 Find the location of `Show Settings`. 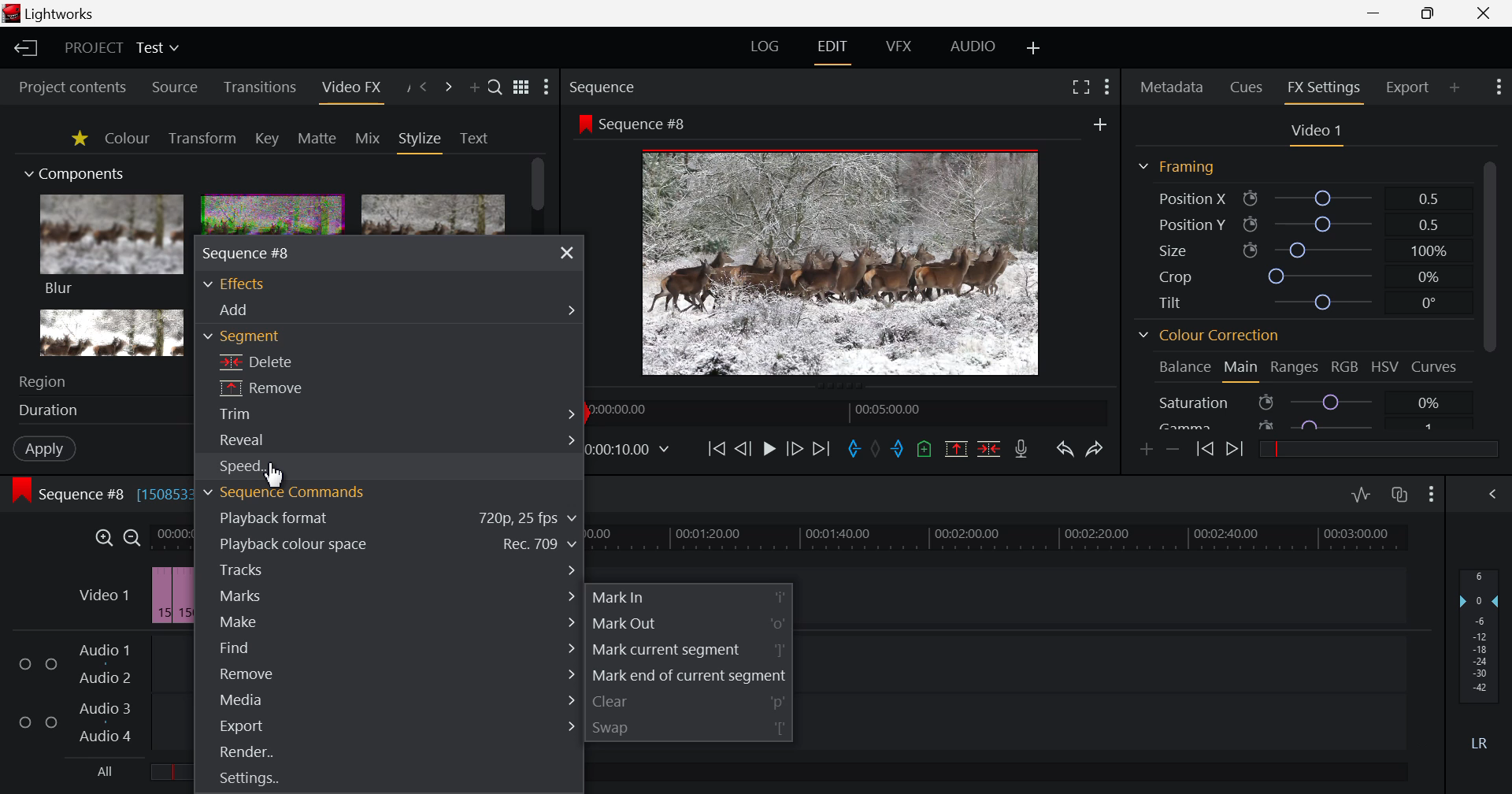

Show Settings is located at coordinates (1432, 496).